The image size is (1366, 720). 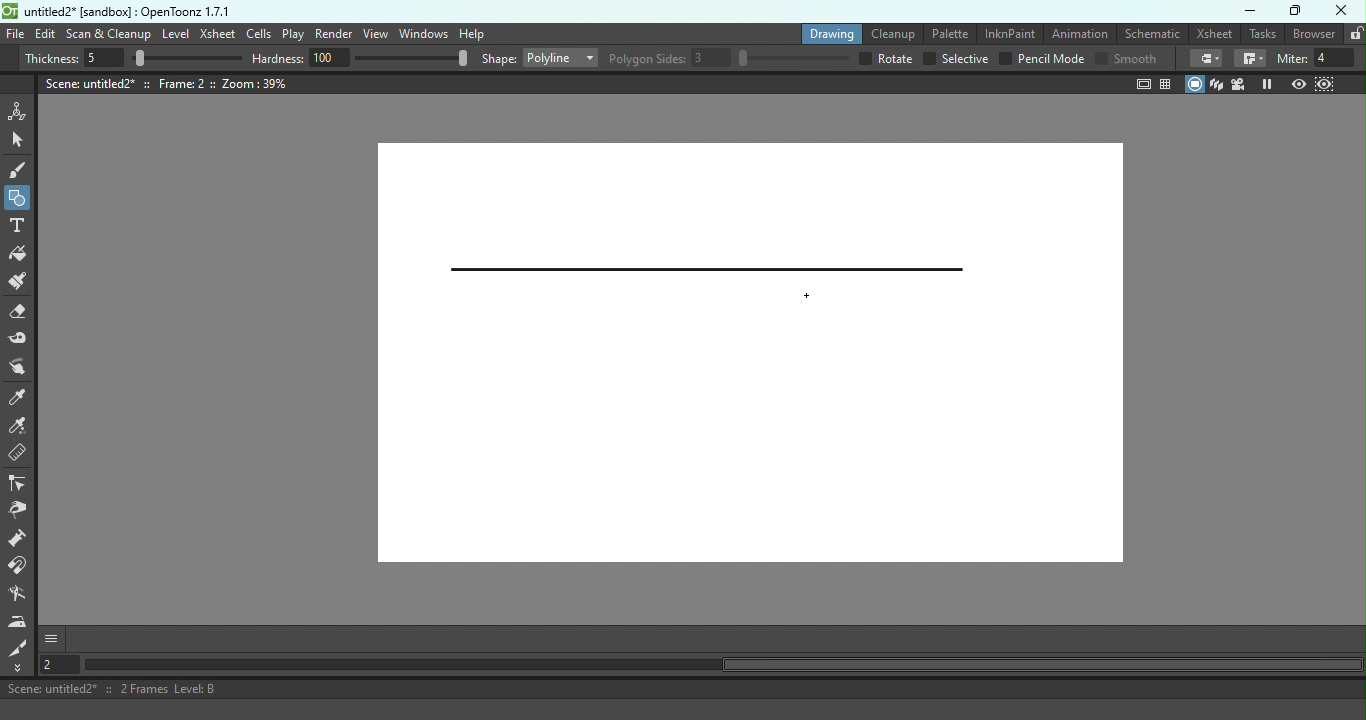 What do you see at coordinates (20, 111) in the screenshot?
I see `Animate tool` at bounding box center [20, 111].